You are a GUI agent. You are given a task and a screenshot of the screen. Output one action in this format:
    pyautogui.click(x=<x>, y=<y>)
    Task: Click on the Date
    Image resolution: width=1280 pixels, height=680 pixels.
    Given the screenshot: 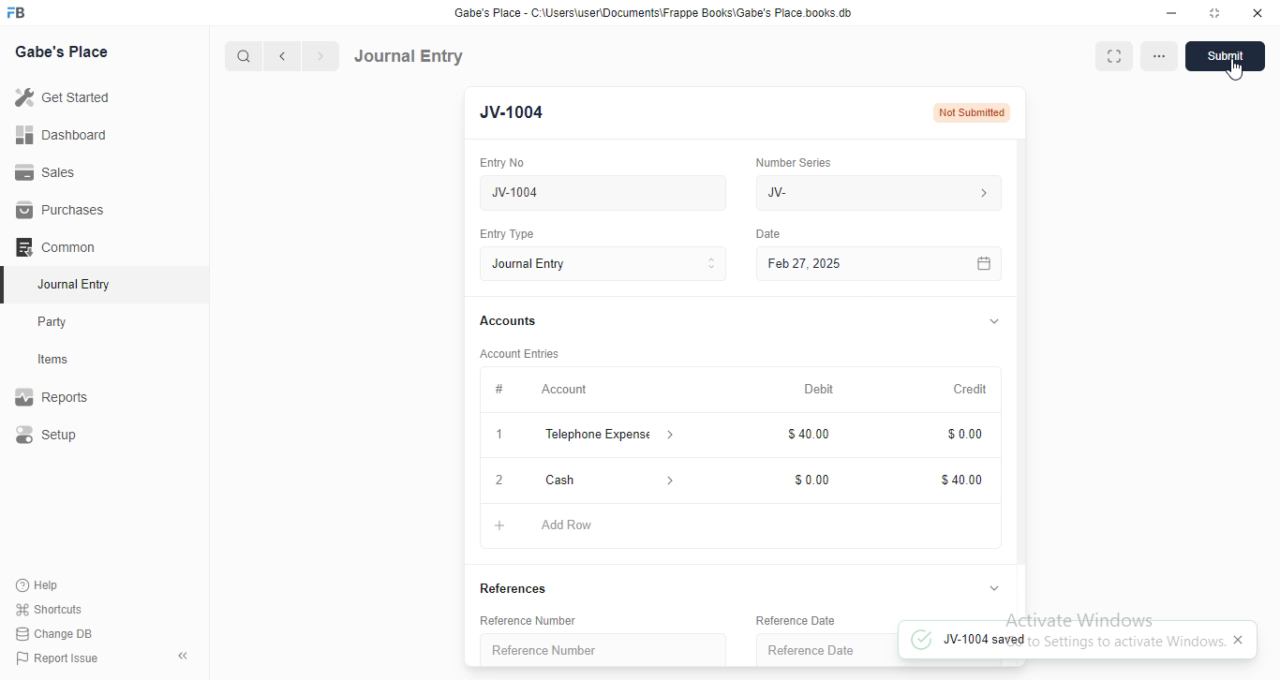 What is the action you would take?
    pyautogui.click(x=772, y=232)
    